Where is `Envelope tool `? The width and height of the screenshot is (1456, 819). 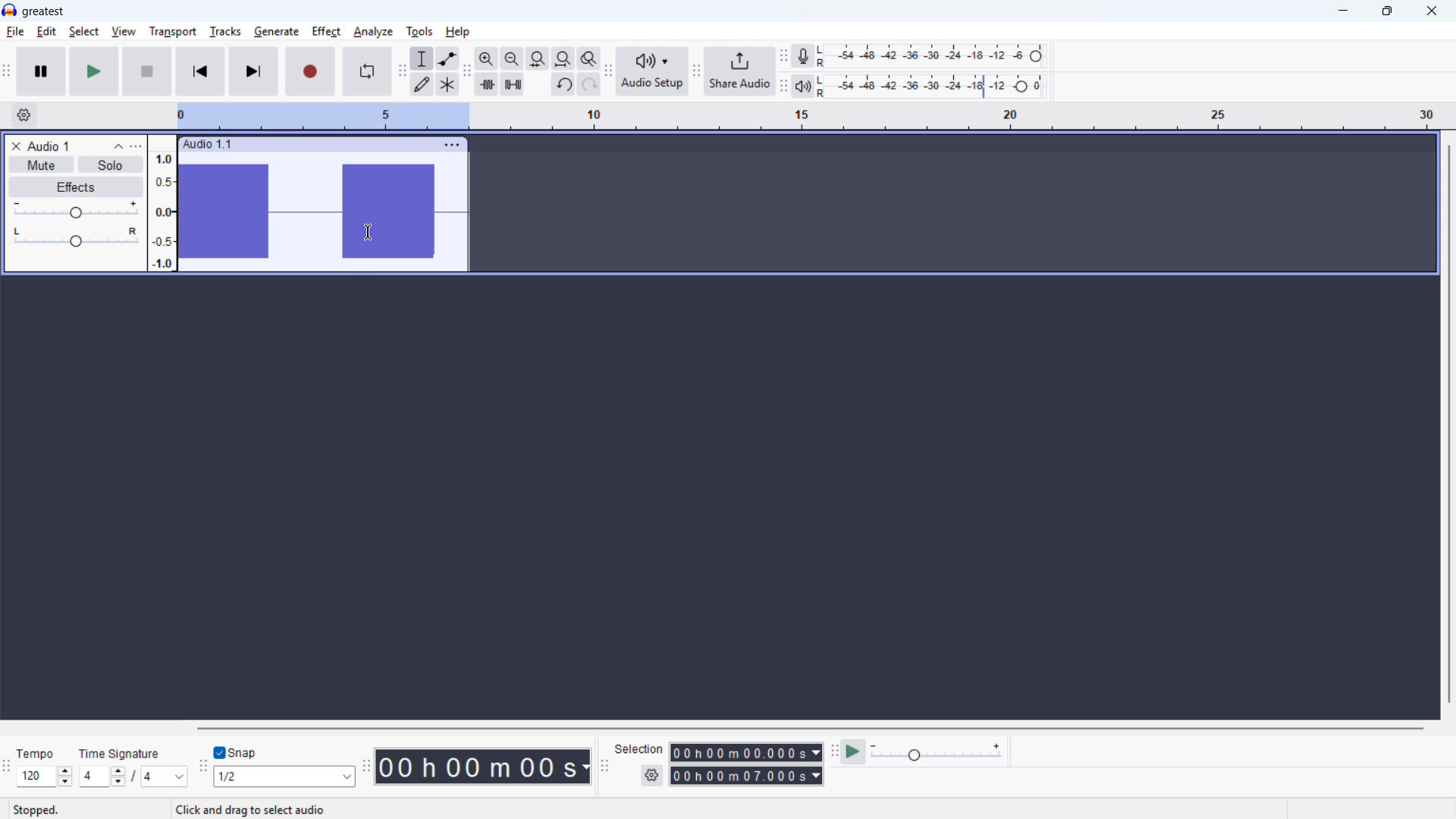 Envelope tool  is located at coordinates (448, 58).